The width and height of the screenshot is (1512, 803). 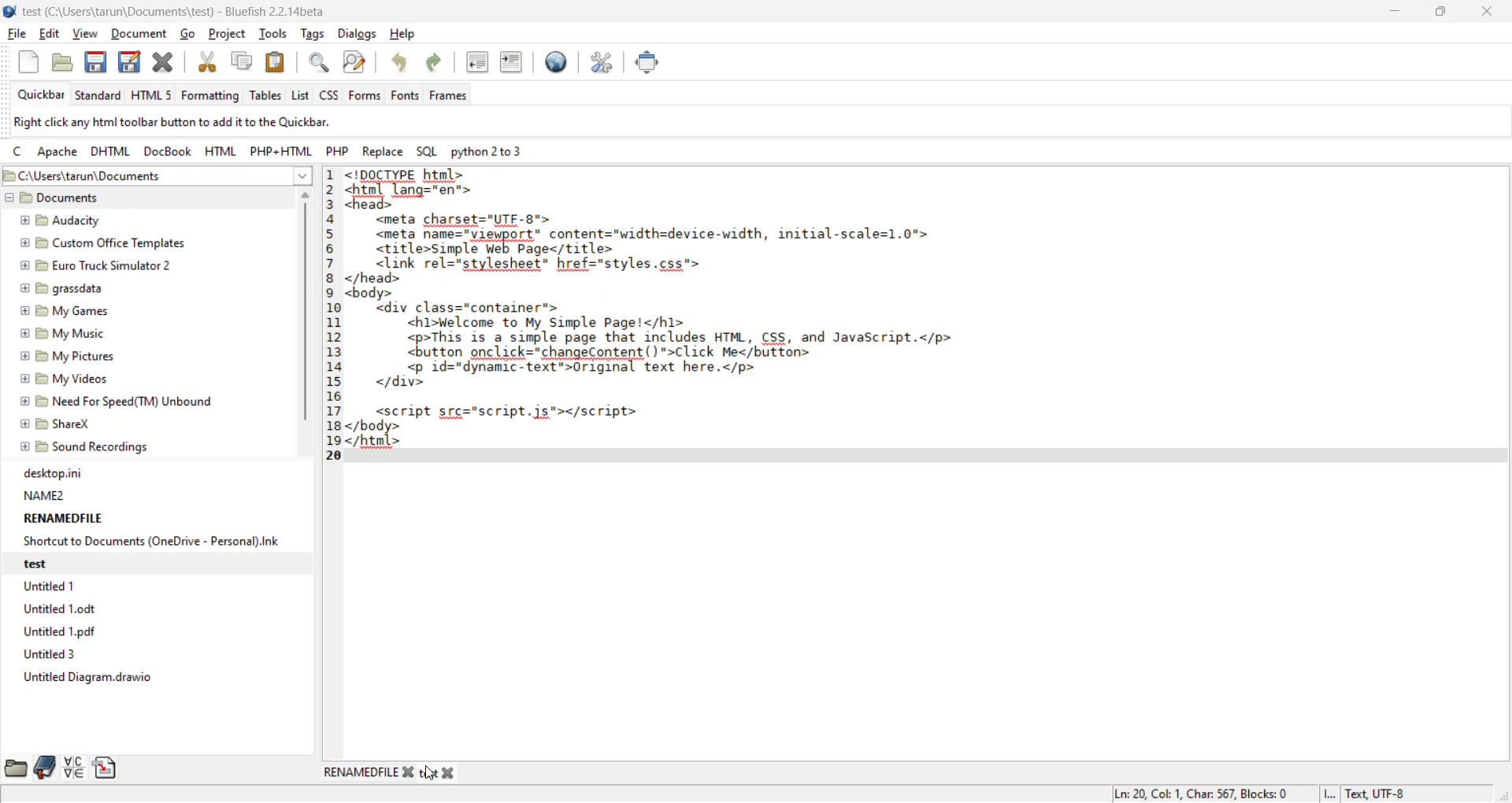 What do you see at coordinates (88, 679) in the screenshot?
I see `Untitled Diagram.drawio` at bounding box center [88, 679].